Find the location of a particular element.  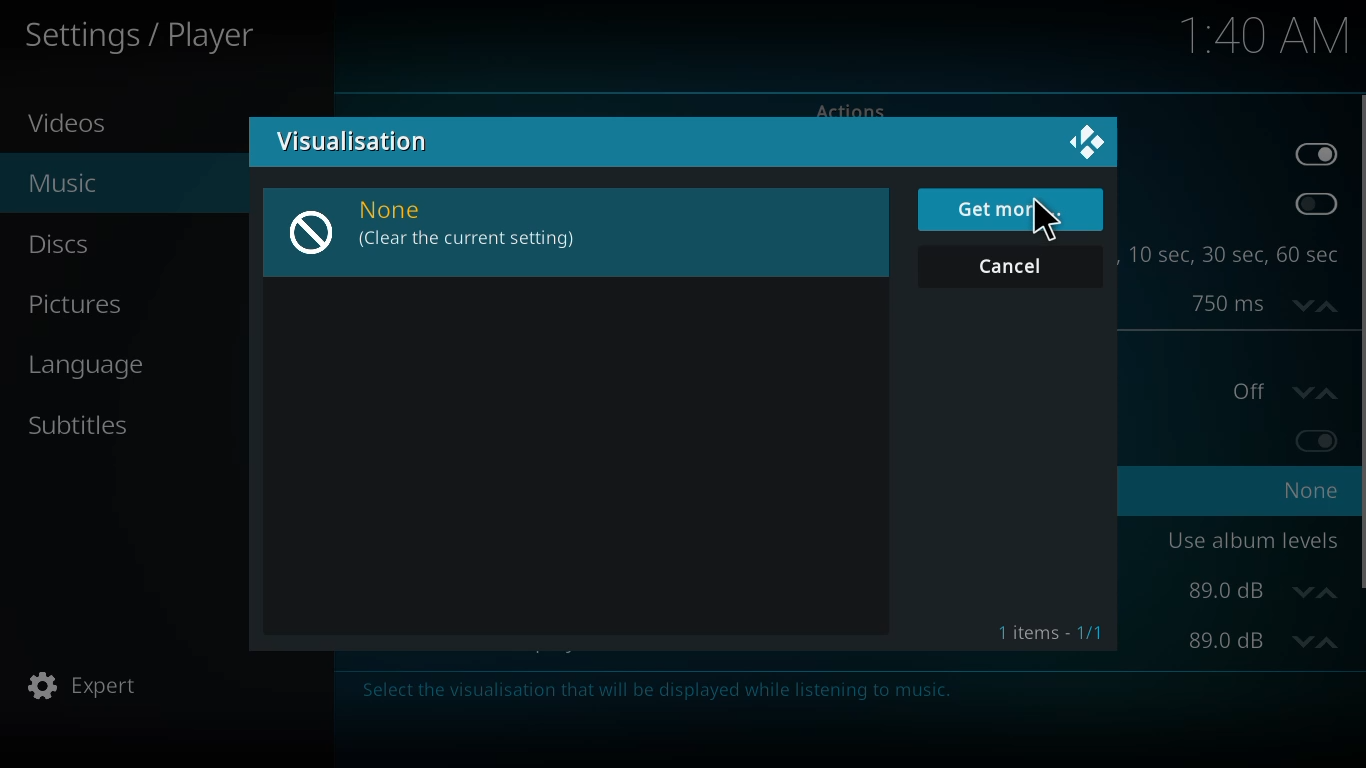

videos is located at coordinates (75, 122).